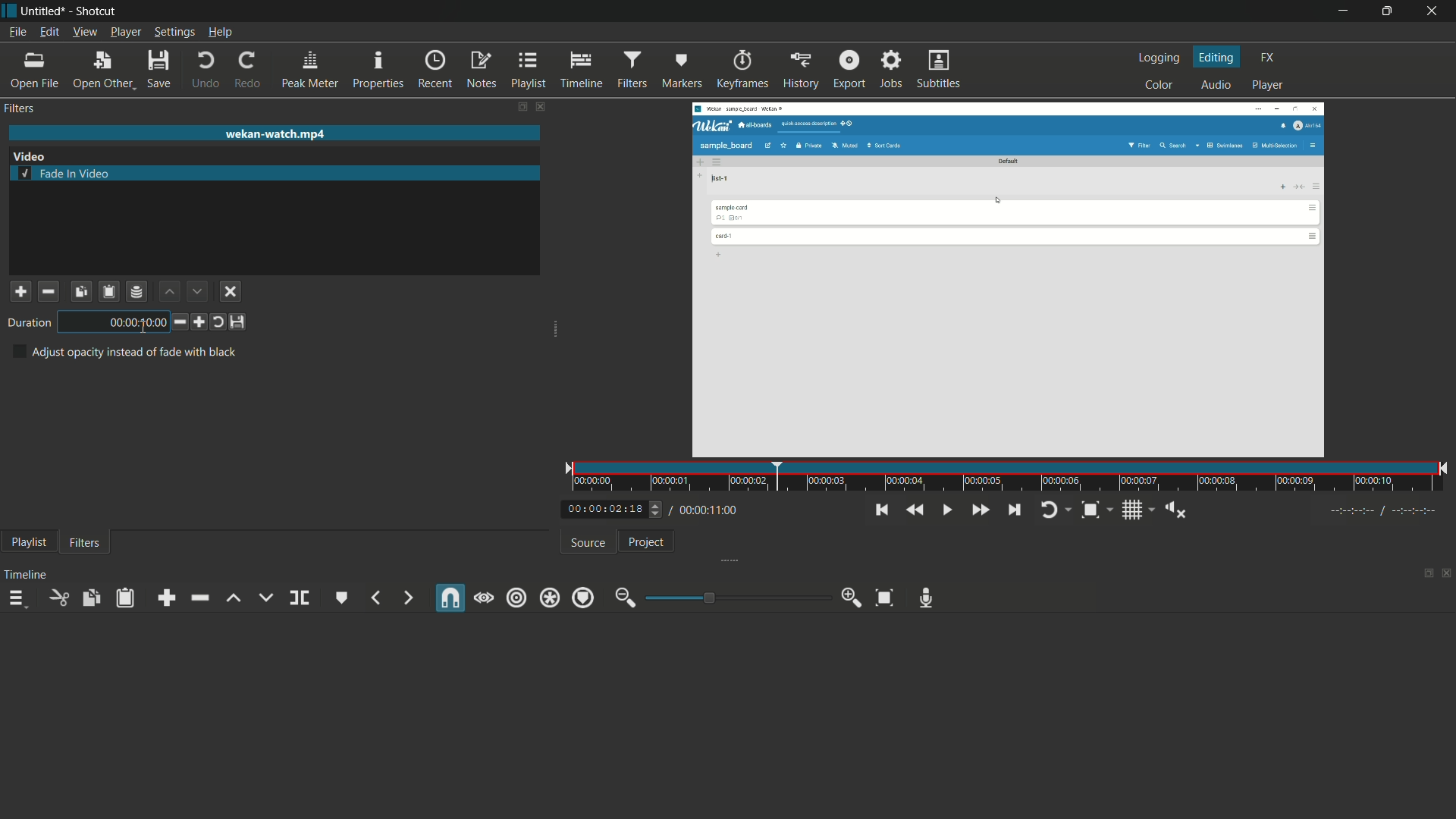  What do you see at coordinates (377, 598) in the screenshot?
I see `previous marker` at bounding box center [377, 598].